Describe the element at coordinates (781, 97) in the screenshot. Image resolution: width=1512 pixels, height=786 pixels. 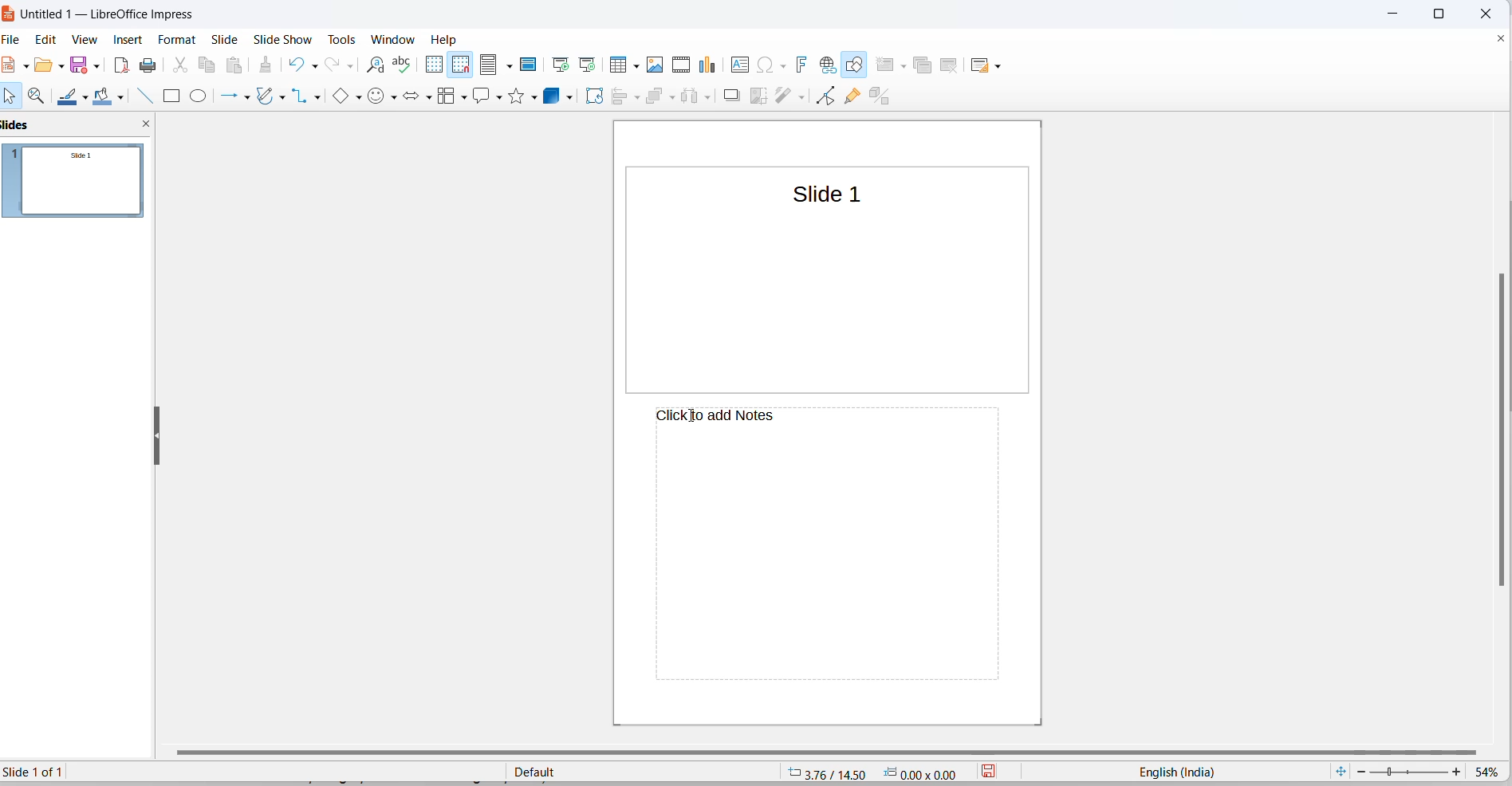
I see `filters` at that location.